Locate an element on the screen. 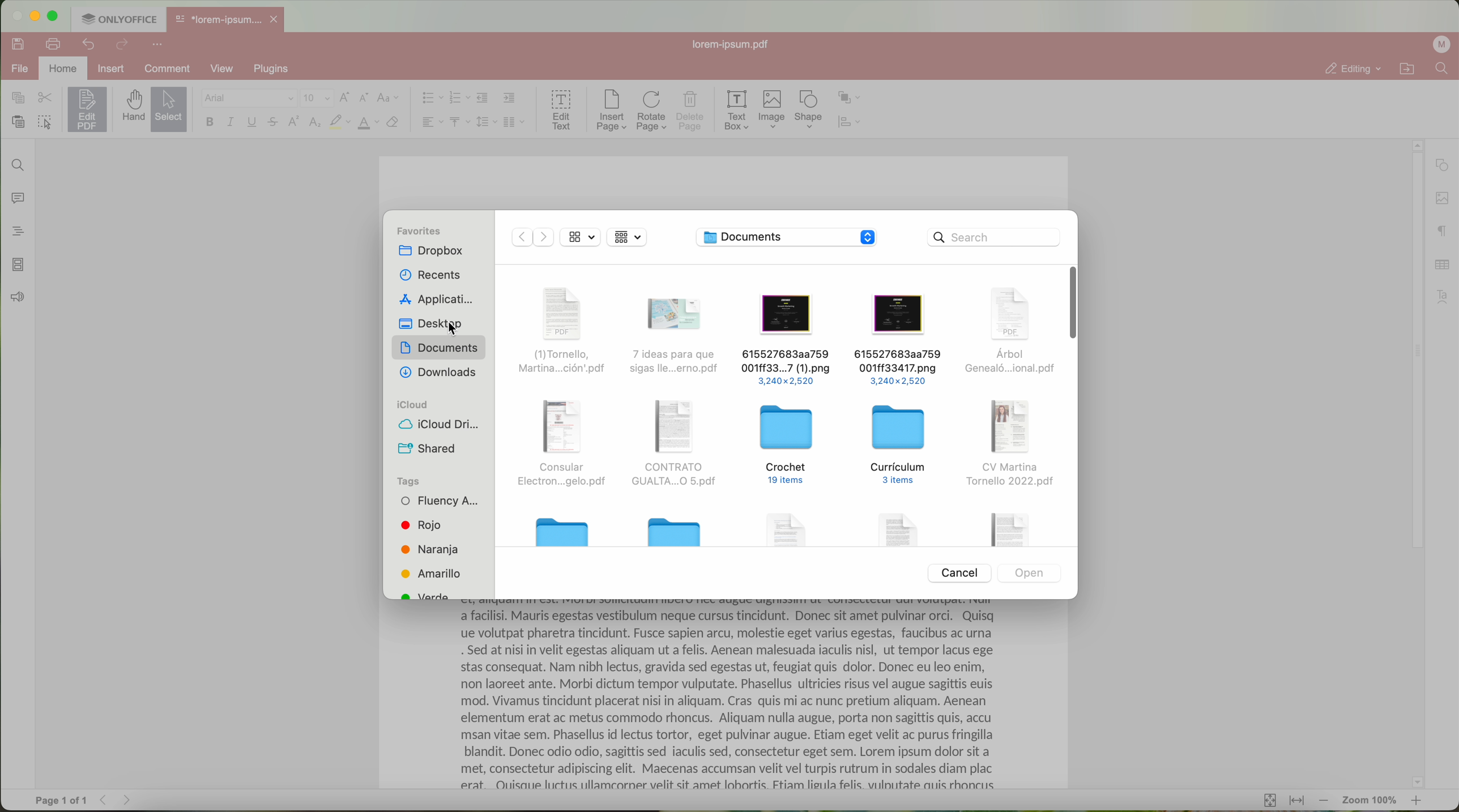  search bar is located at coordinates (994, 238).